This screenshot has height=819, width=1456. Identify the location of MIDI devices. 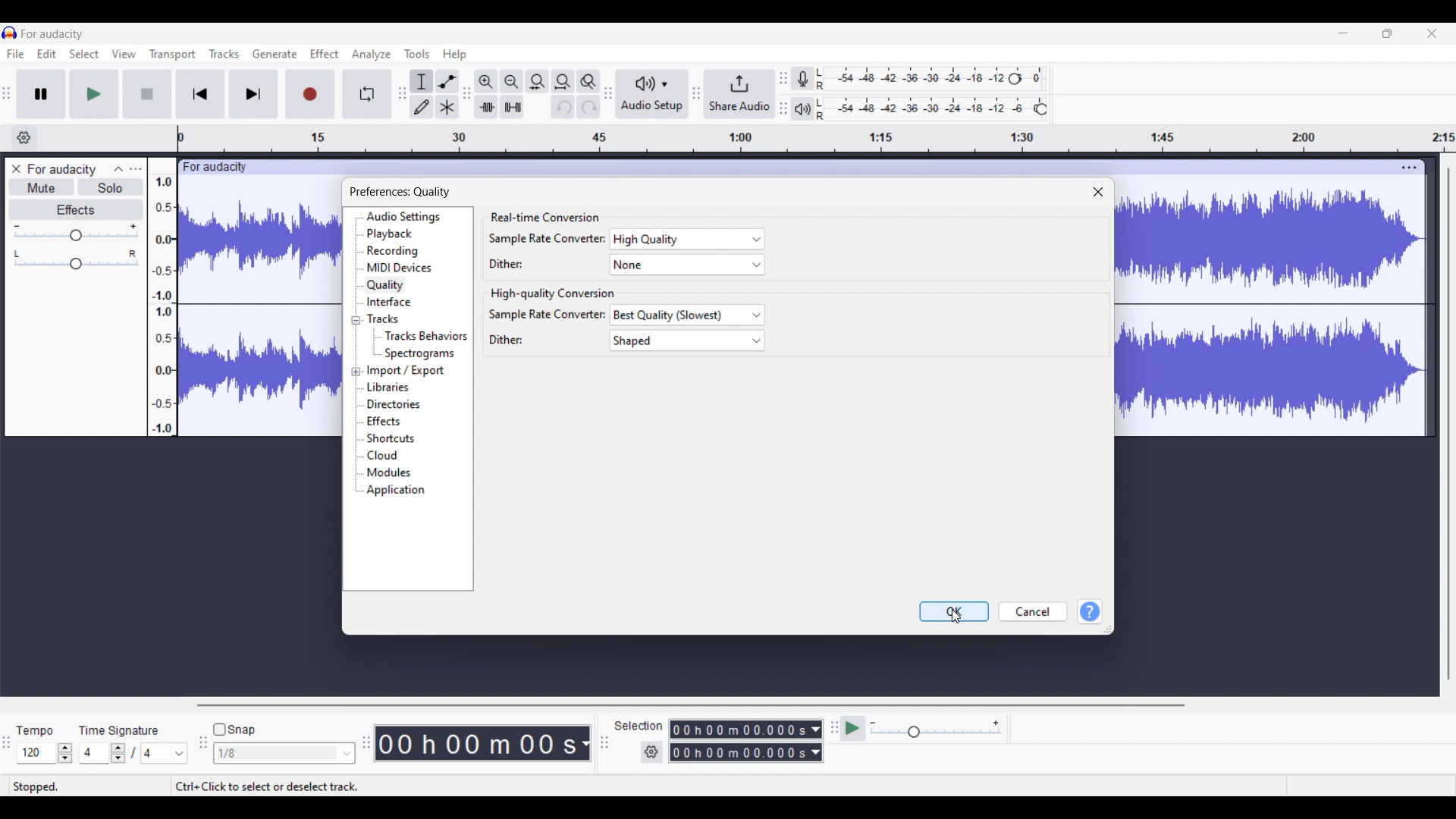
(399, 267).